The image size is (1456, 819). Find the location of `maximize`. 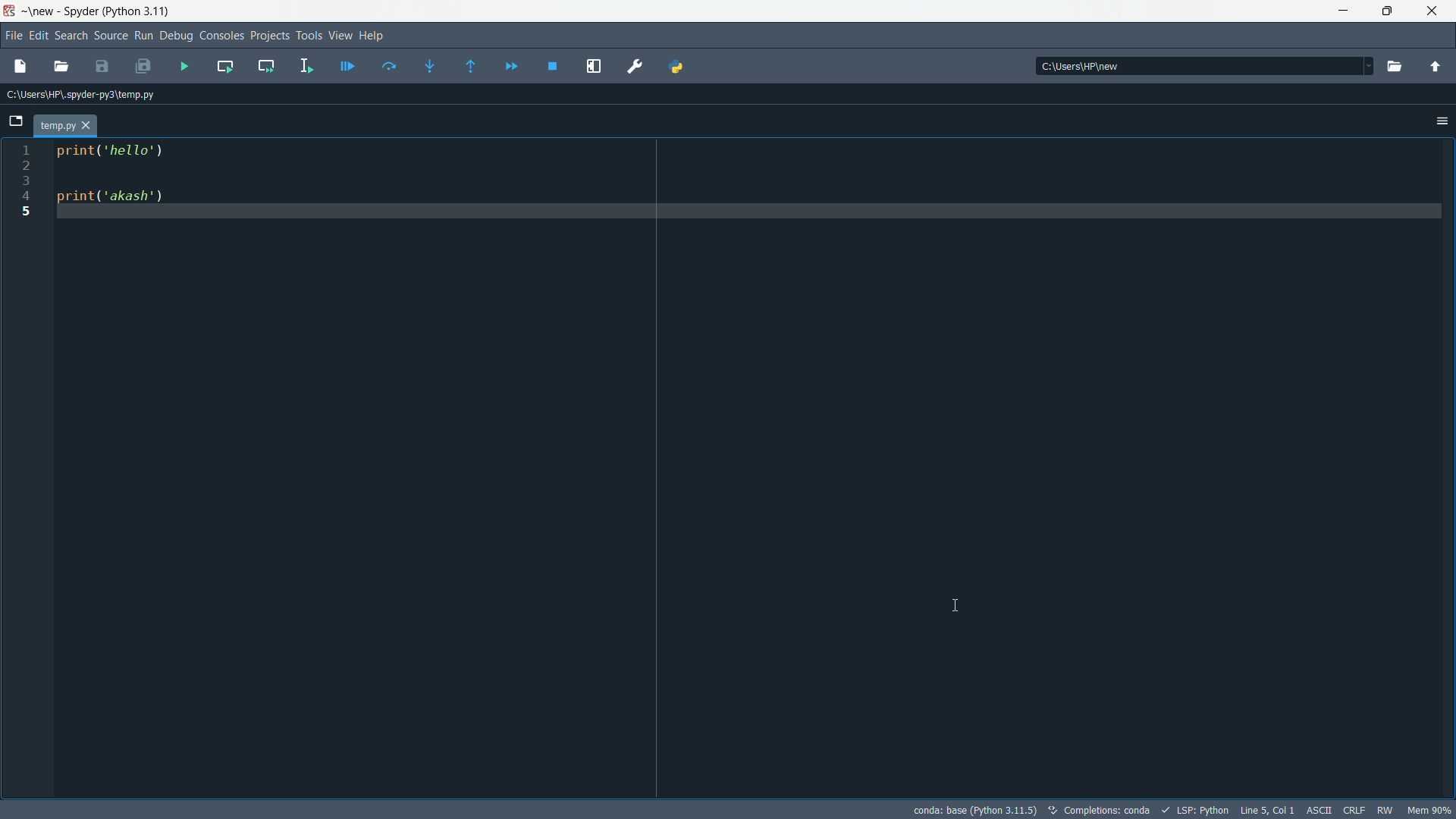

maximize is located at coordinates (1390, 11).